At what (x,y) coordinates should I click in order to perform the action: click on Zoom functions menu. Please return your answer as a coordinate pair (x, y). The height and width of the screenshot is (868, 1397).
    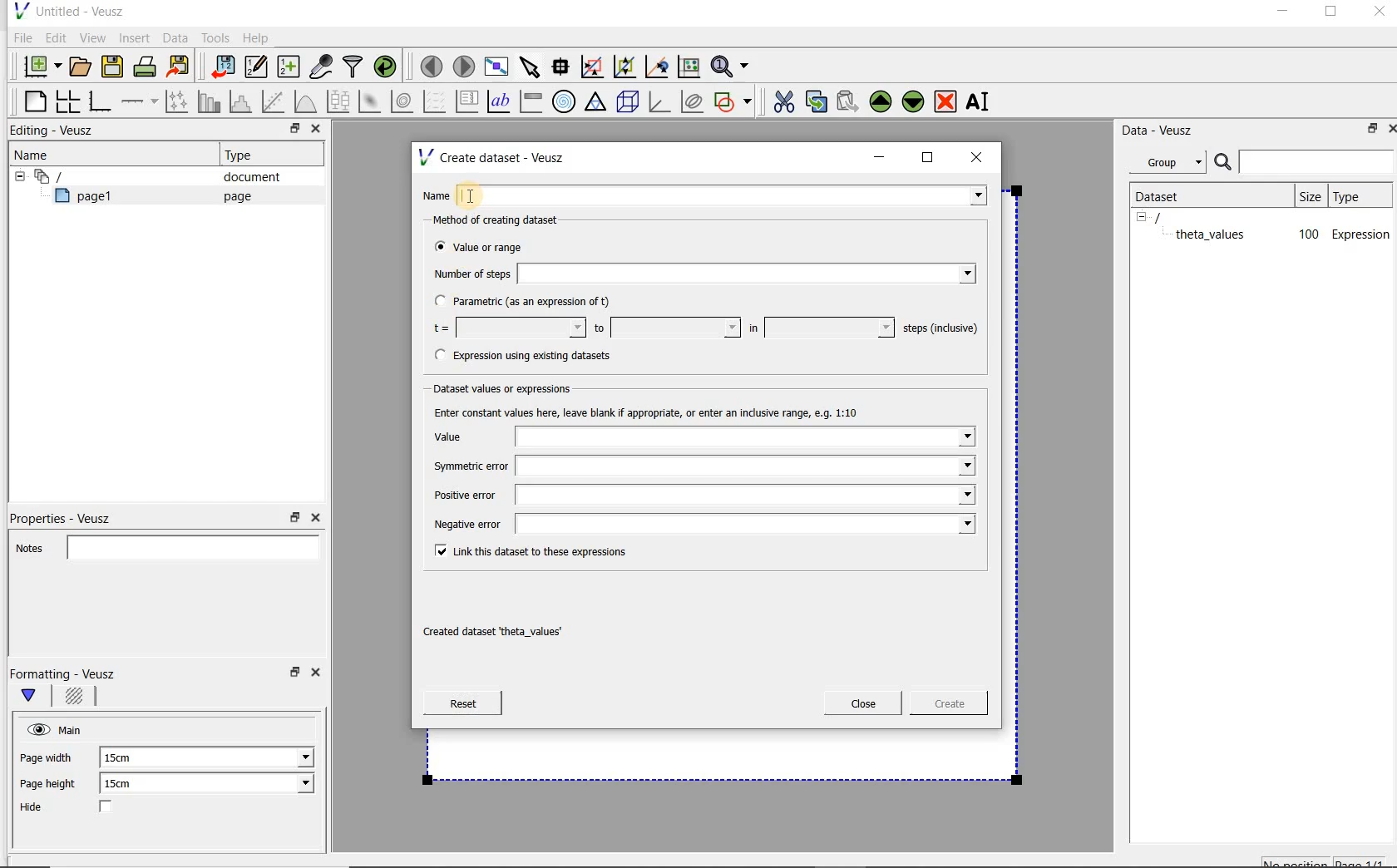
    Looking at the image, I should click on (731, 62).